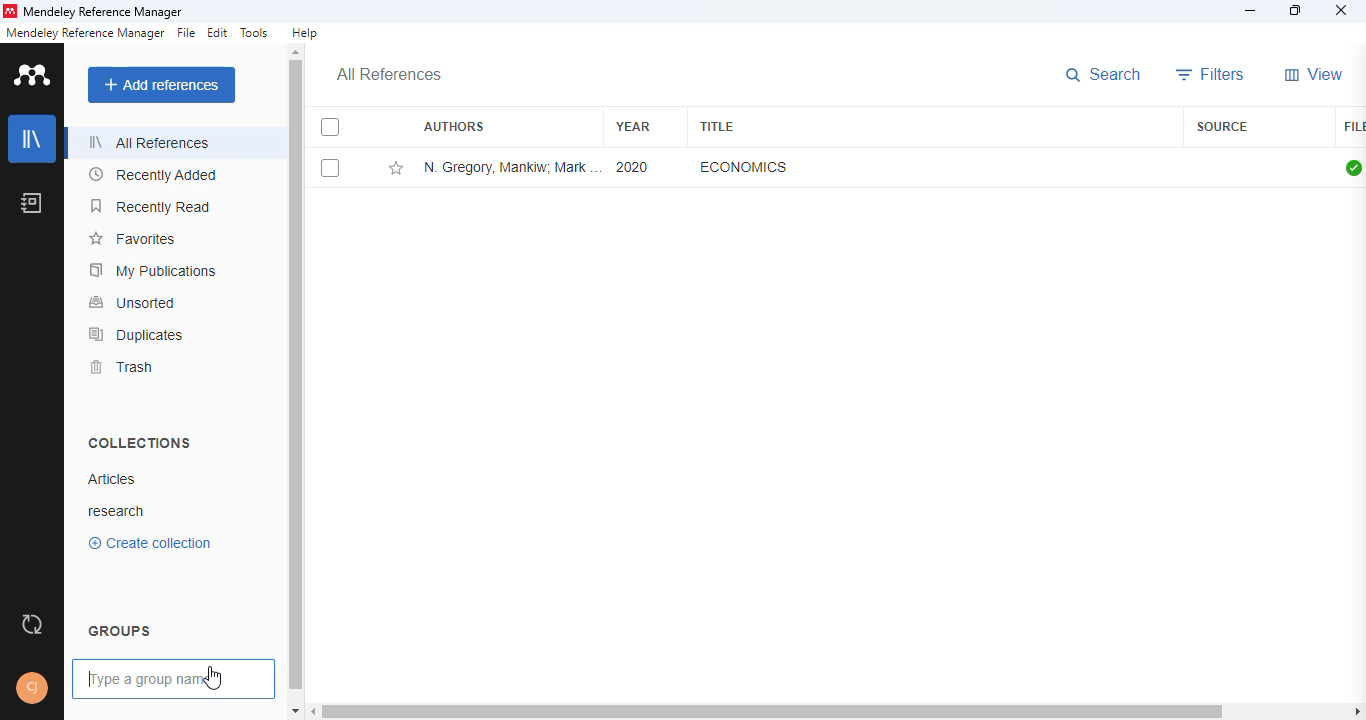 The image size is (1366, 720). I want to click on year, so click(633, 126).